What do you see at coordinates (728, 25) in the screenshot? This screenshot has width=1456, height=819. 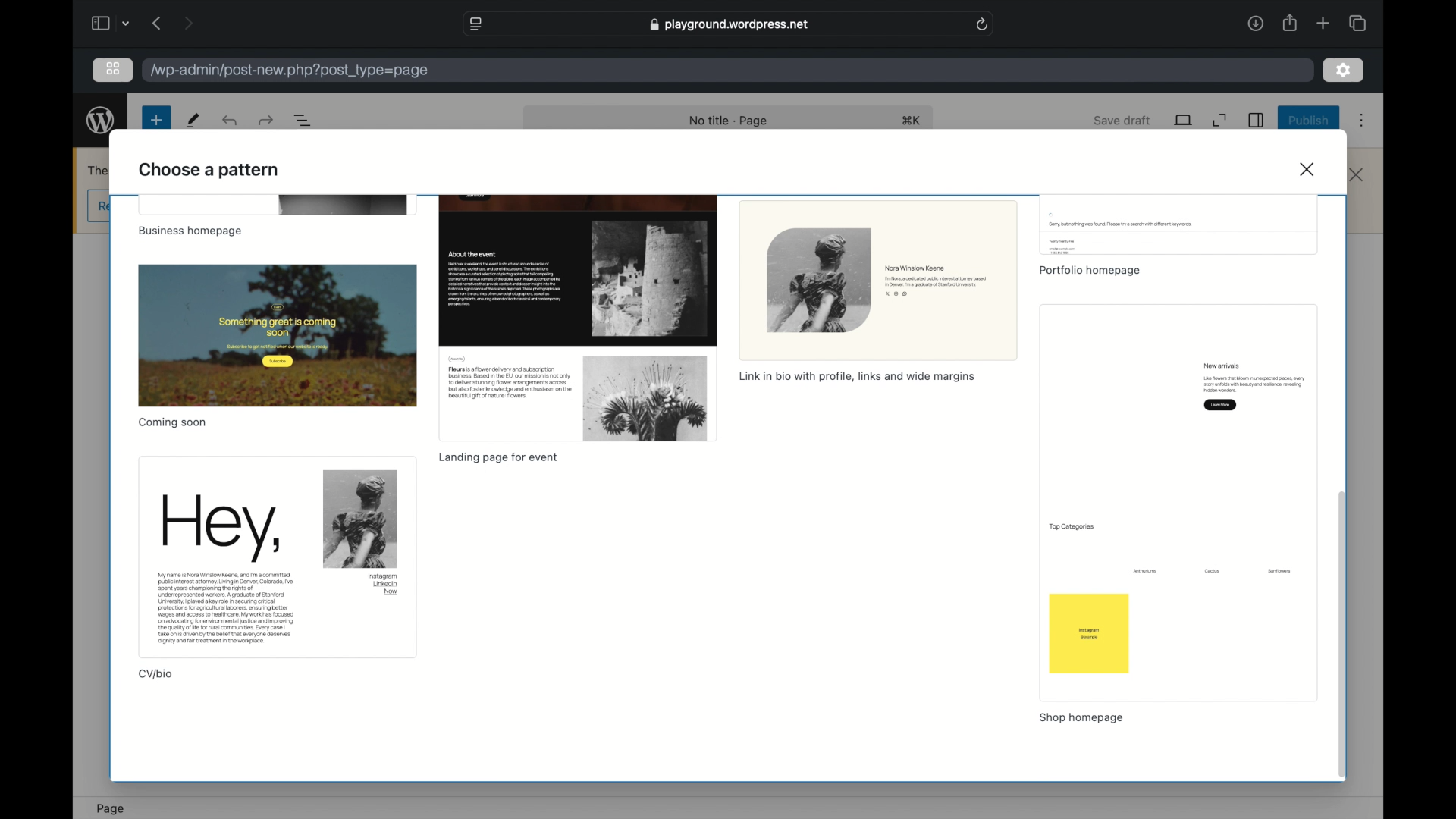 I see `web address` at bounding box center [728, 25].